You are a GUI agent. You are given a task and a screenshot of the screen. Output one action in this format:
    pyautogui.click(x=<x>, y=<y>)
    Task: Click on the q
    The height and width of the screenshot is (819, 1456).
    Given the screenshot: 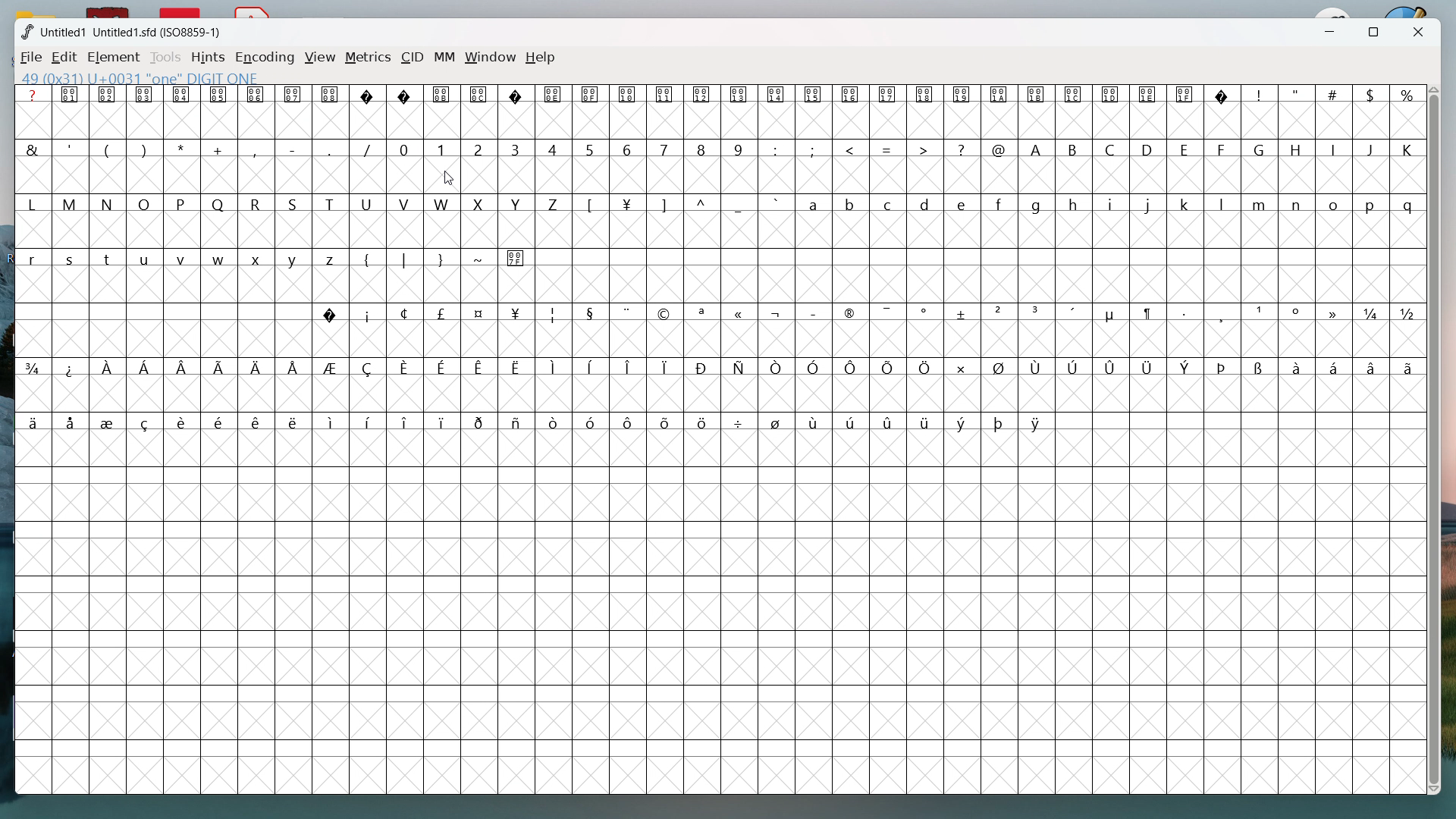 What is the action you would take?
    pyautogui.click(x=1408, y=203)
    